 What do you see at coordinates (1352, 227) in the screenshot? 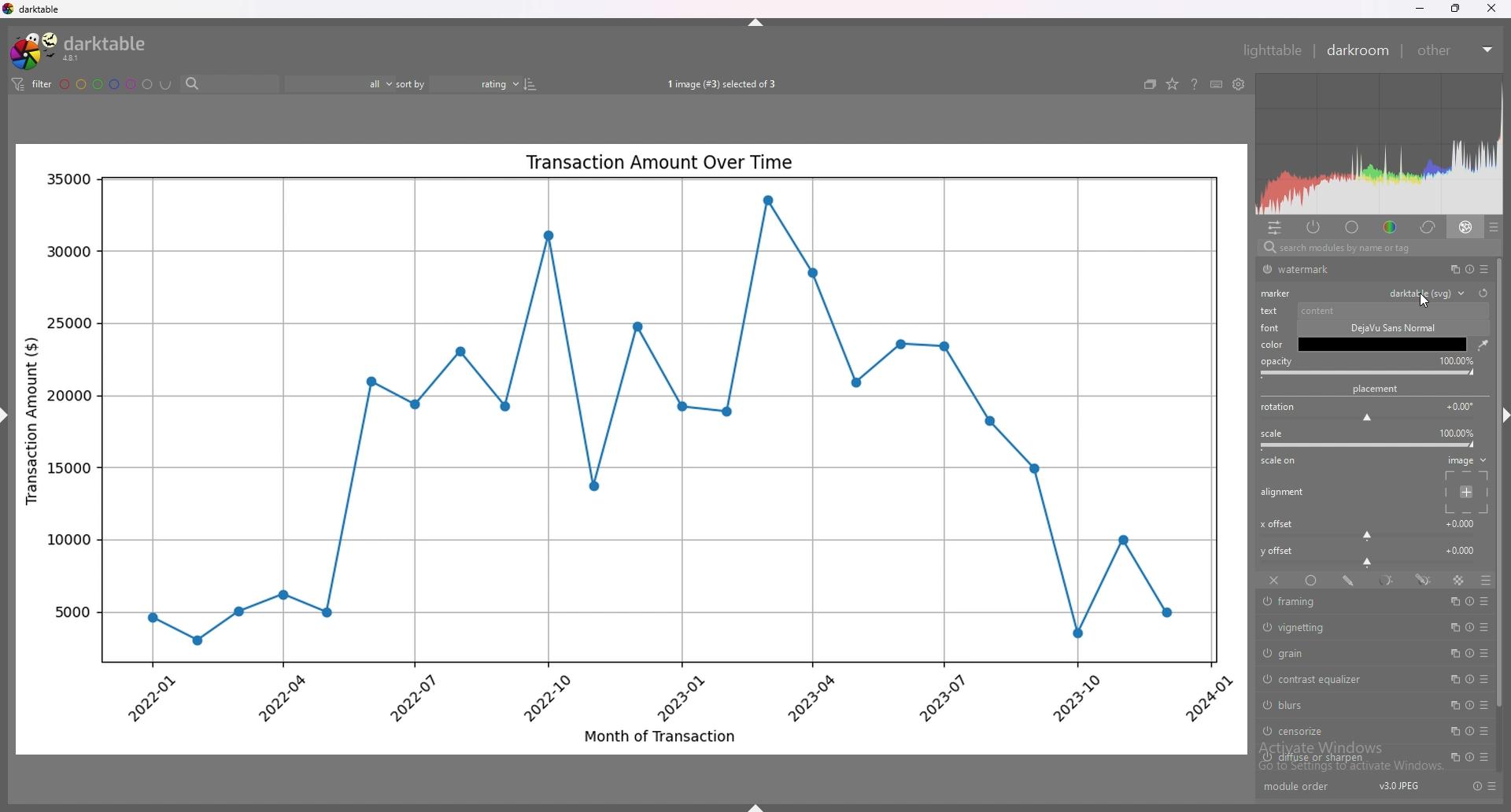
I see `base` at bounding box center [1352, 227].